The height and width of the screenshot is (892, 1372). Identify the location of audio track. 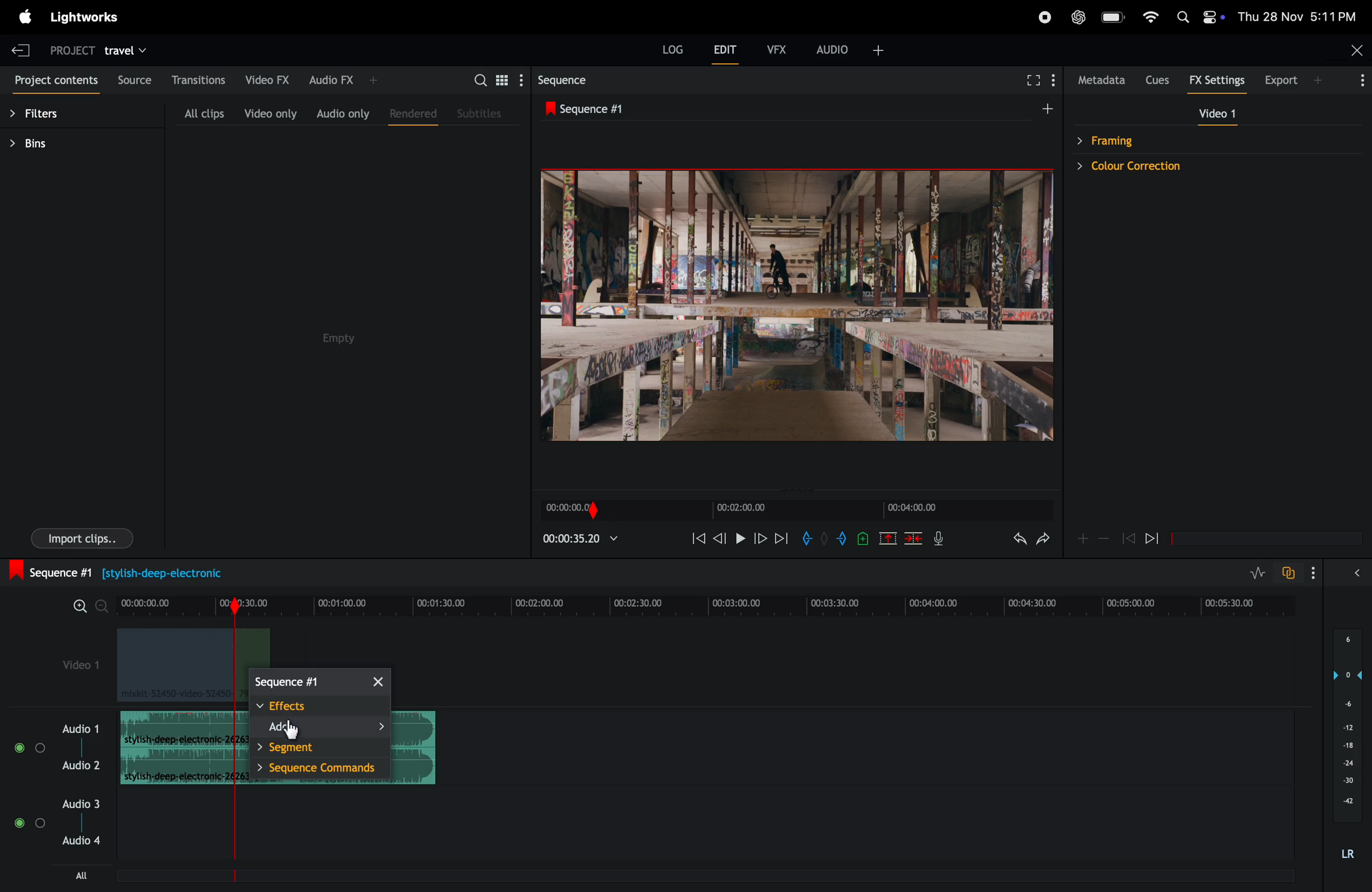
(176, 728).